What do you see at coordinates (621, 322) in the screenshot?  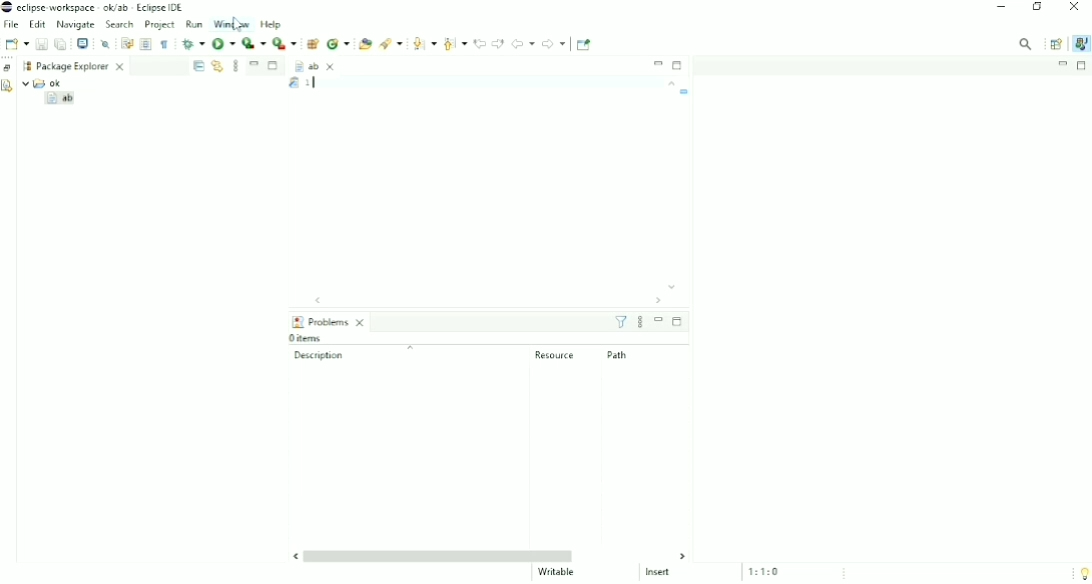 I see `Filters` at bounding box center [621, 322].